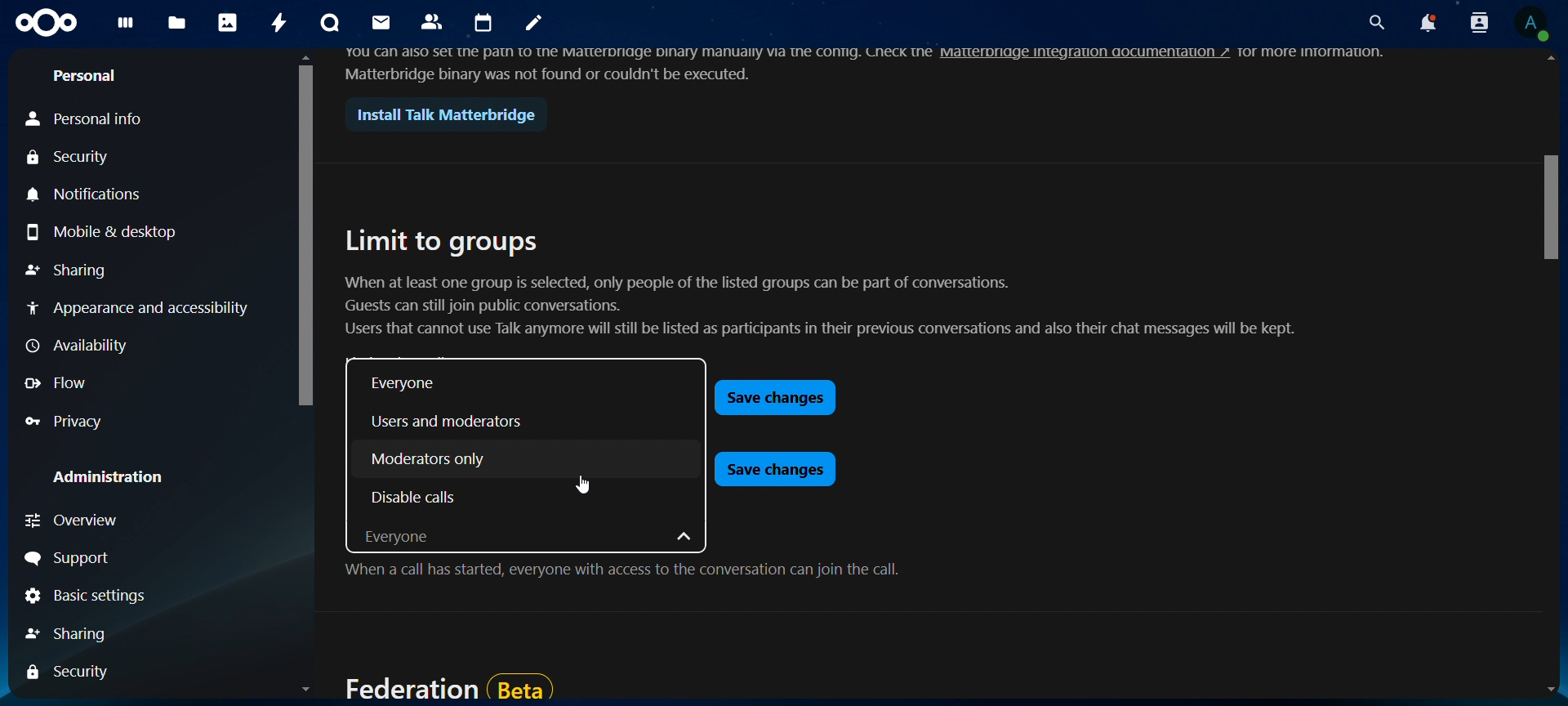  Describe the element at coordinates (1099, 55) in the screenshot. I see `matterbridge integration documentation` at that location.